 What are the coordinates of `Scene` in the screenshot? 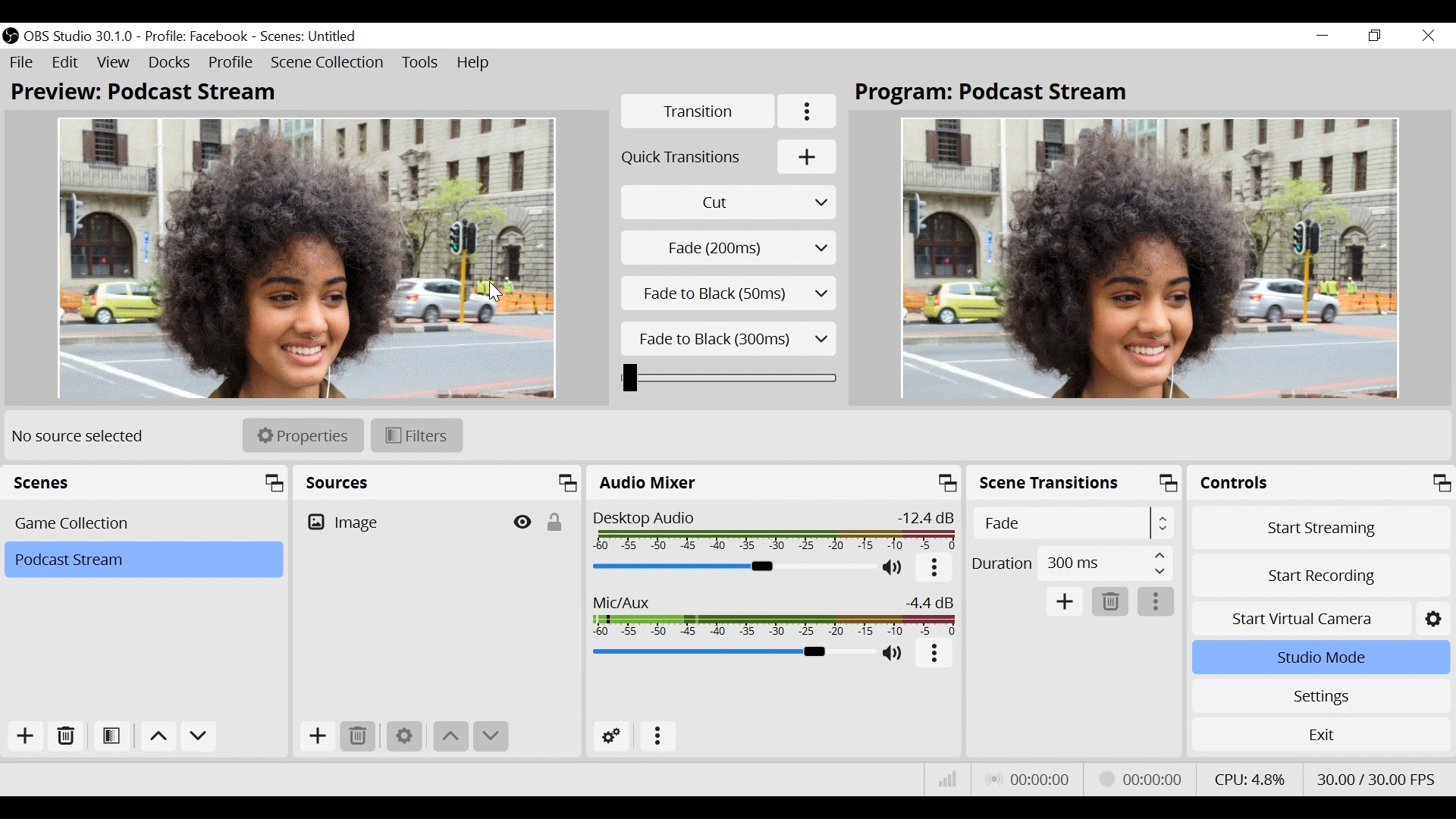 It's located at (143, 560).